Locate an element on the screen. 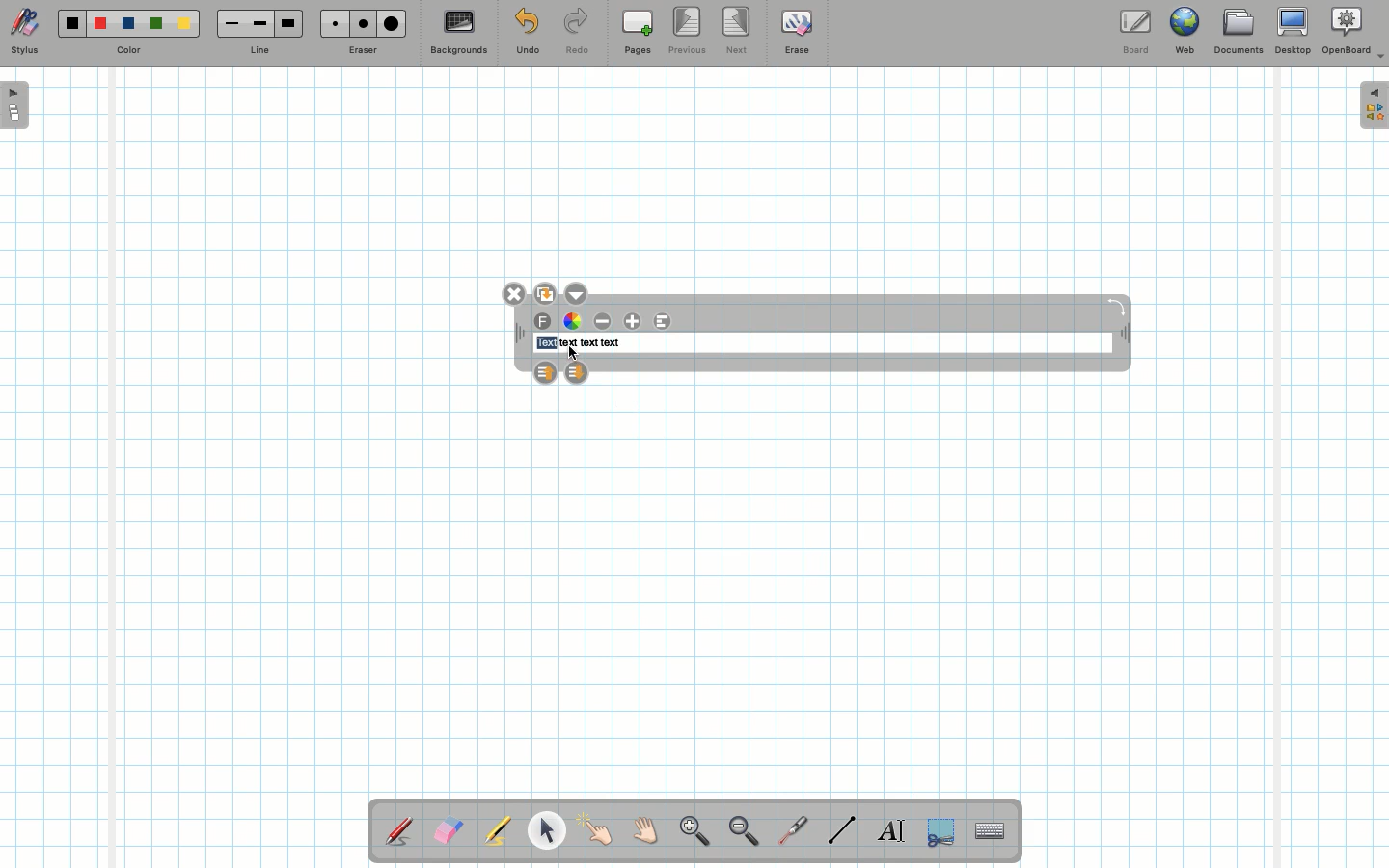 The image size is (1389, 868). Previous is located at coordinates (689, 32).